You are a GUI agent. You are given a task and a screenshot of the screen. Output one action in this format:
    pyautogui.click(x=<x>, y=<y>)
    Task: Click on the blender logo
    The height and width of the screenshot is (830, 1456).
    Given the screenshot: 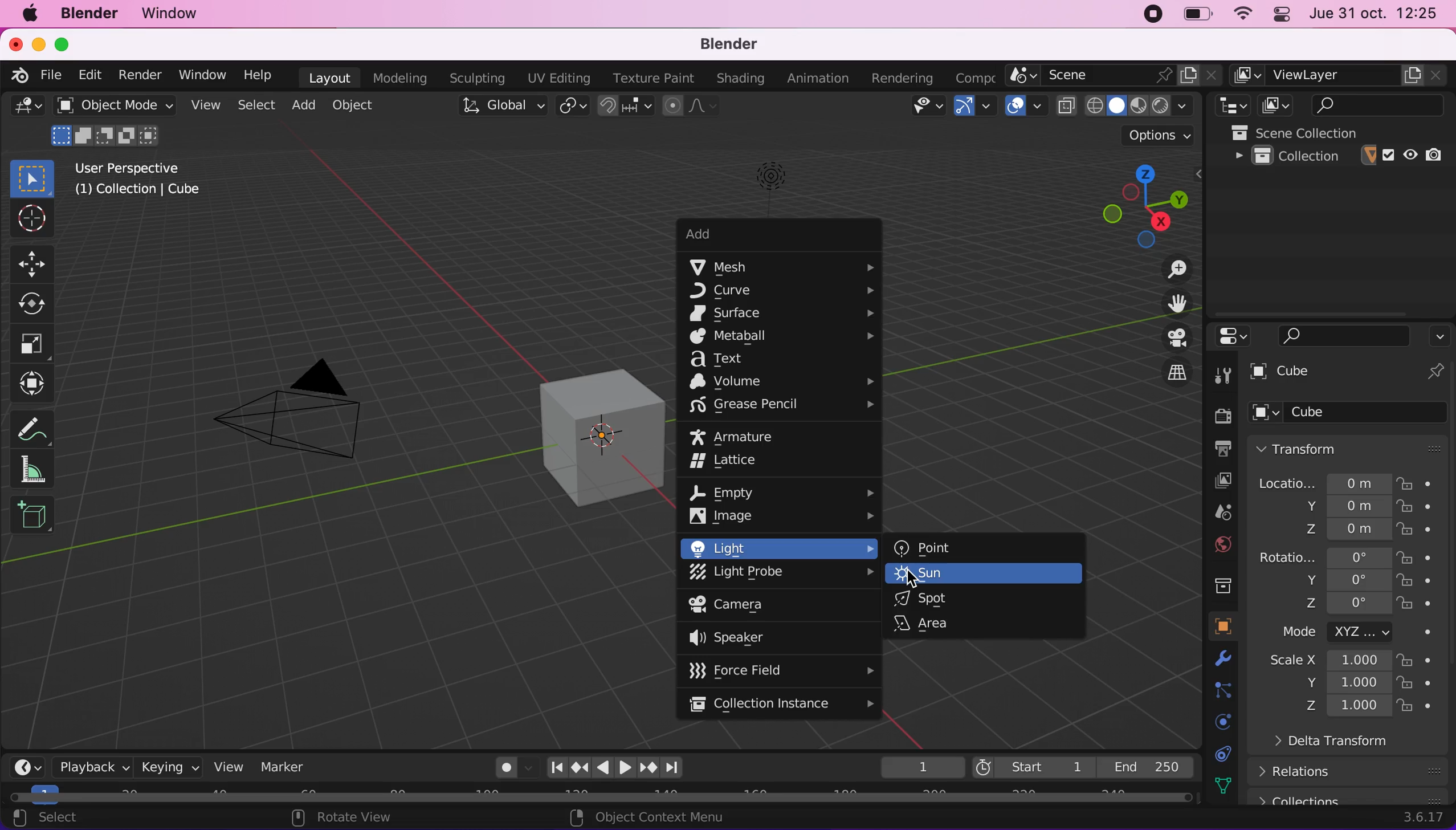 What is the action you would take?
    pyautogui.click(x=21, y=76)
    